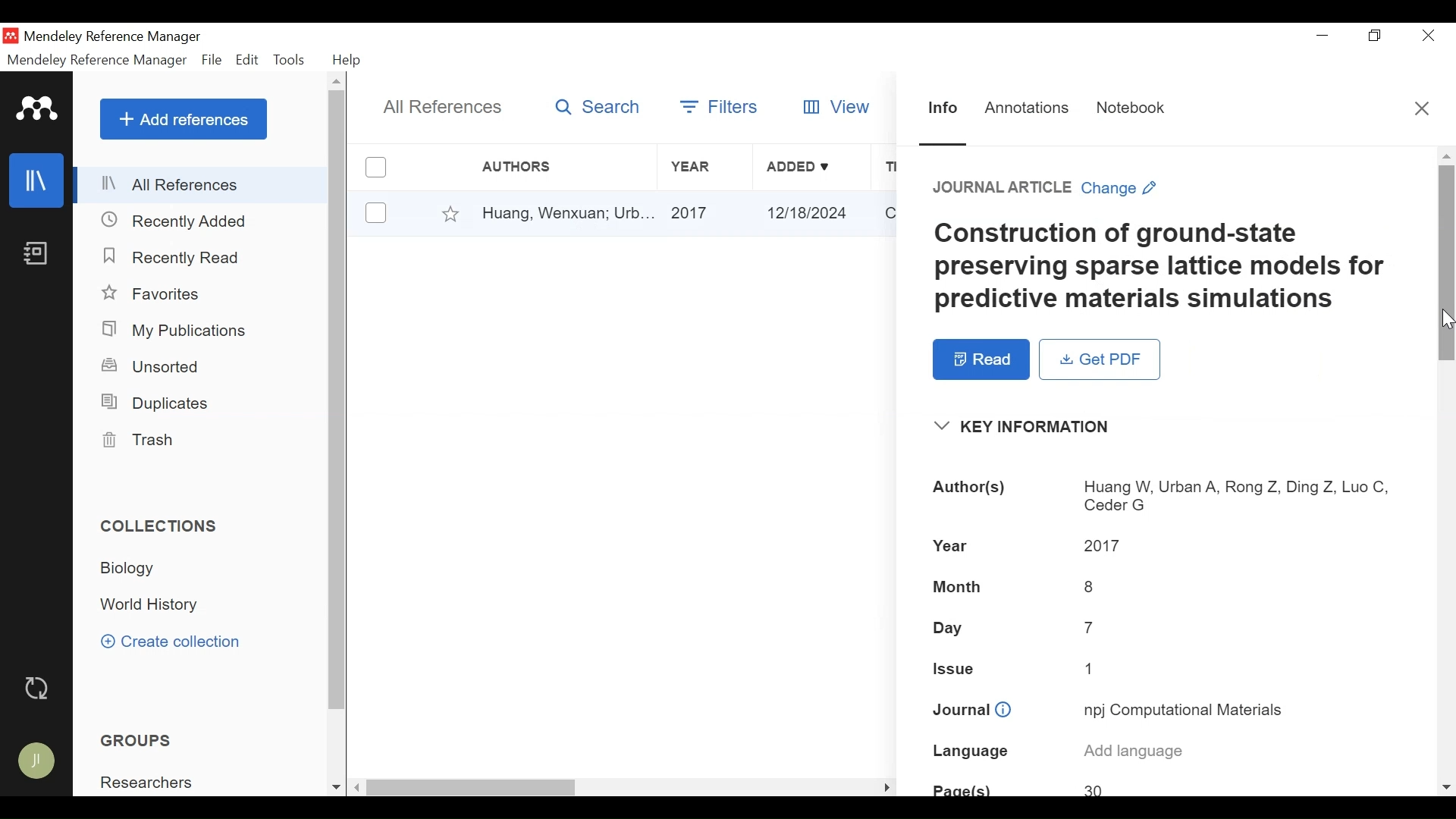 Image resolution: width=1456 pixels, height=819 pixels. What do you see at coordinates (1098, 359) in the screenshot?
I see `Get PDF` at bounding box center [1098, 359].